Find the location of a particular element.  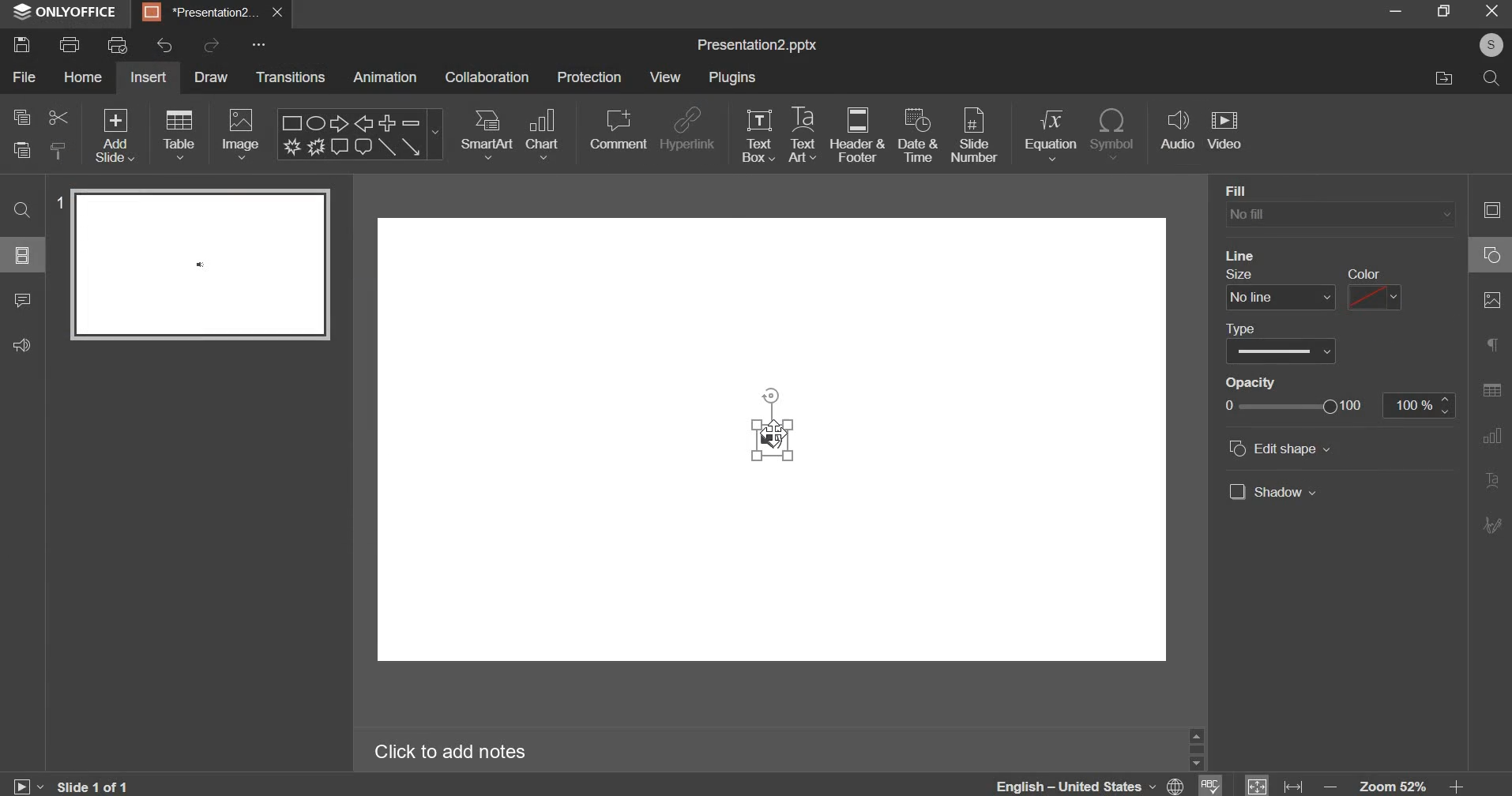

insert image is located at coordinates (242, 135).